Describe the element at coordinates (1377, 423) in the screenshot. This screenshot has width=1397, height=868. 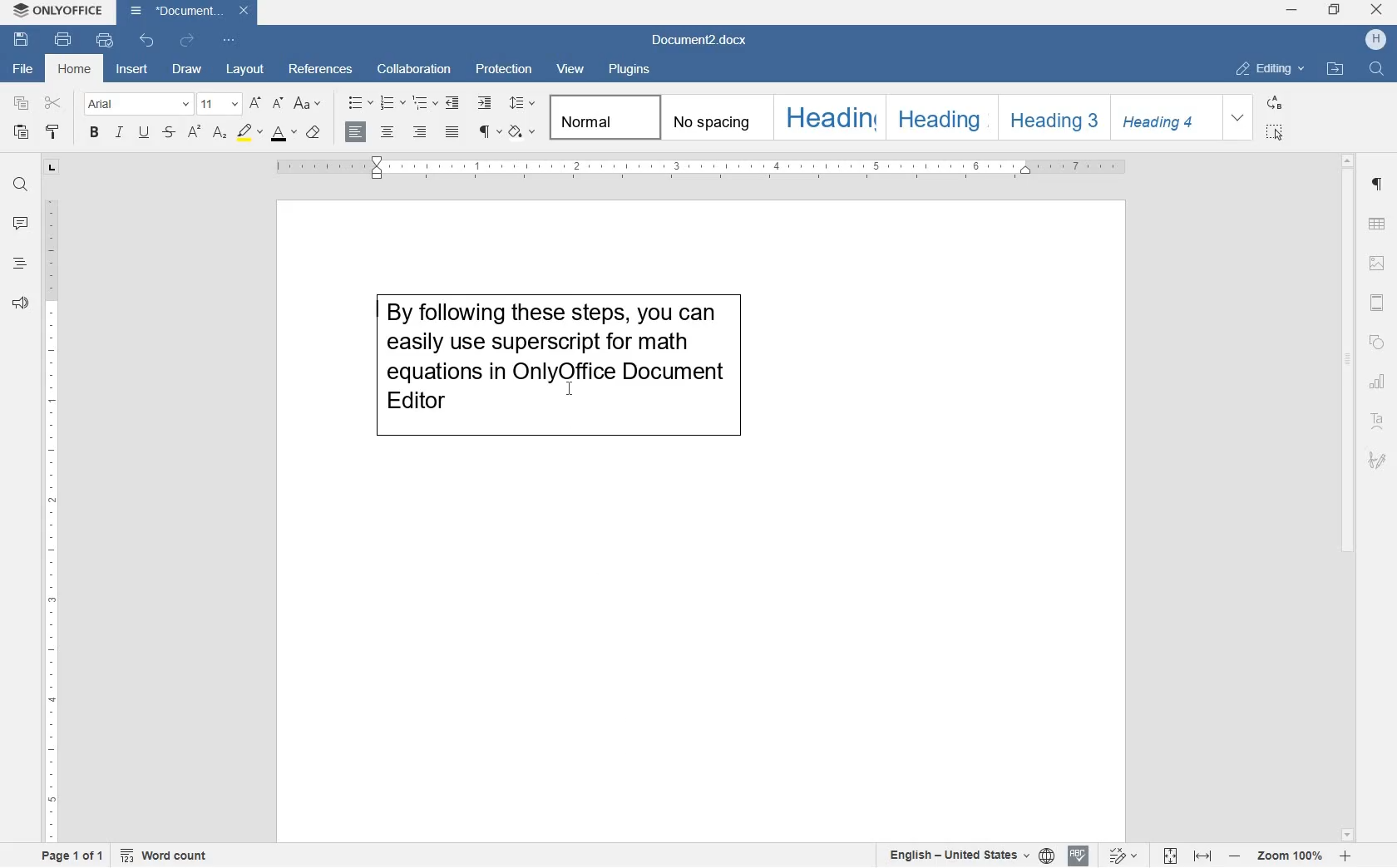
I see `text art` at that location.